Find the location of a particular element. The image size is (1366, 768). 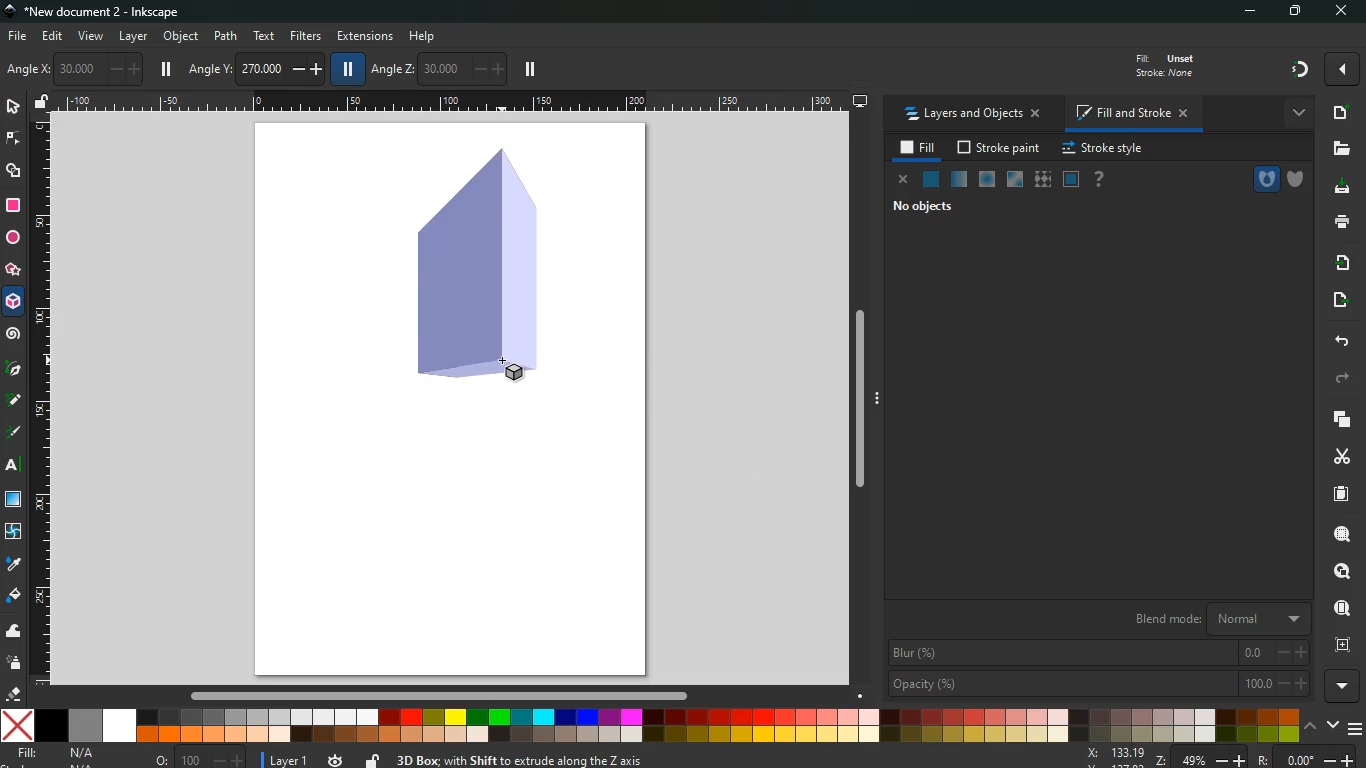

download is located at coordinates (1338, 187).